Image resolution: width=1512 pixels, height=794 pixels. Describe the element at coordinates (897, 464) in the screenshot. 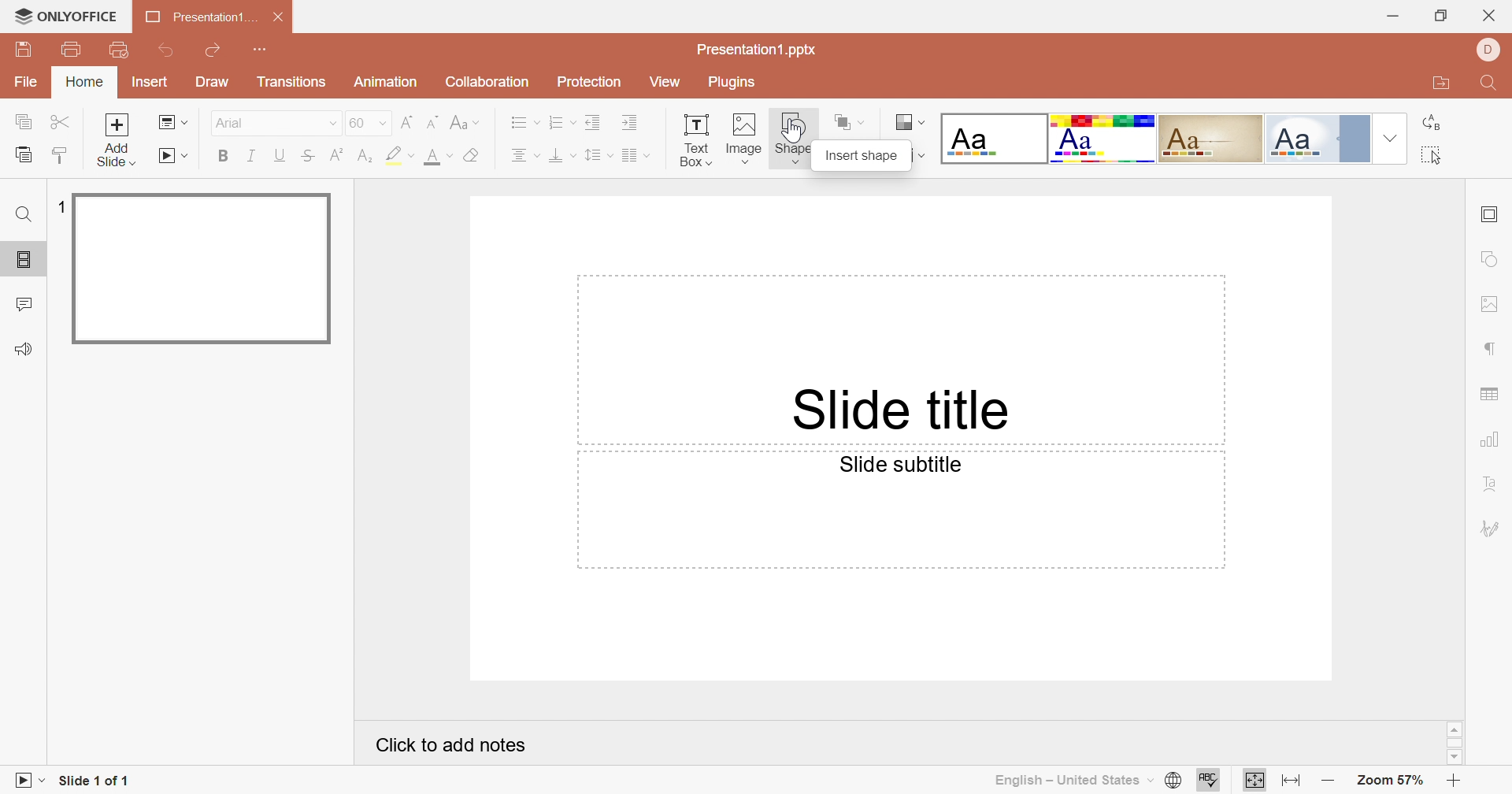

I see `Slide subtitle` at that location.